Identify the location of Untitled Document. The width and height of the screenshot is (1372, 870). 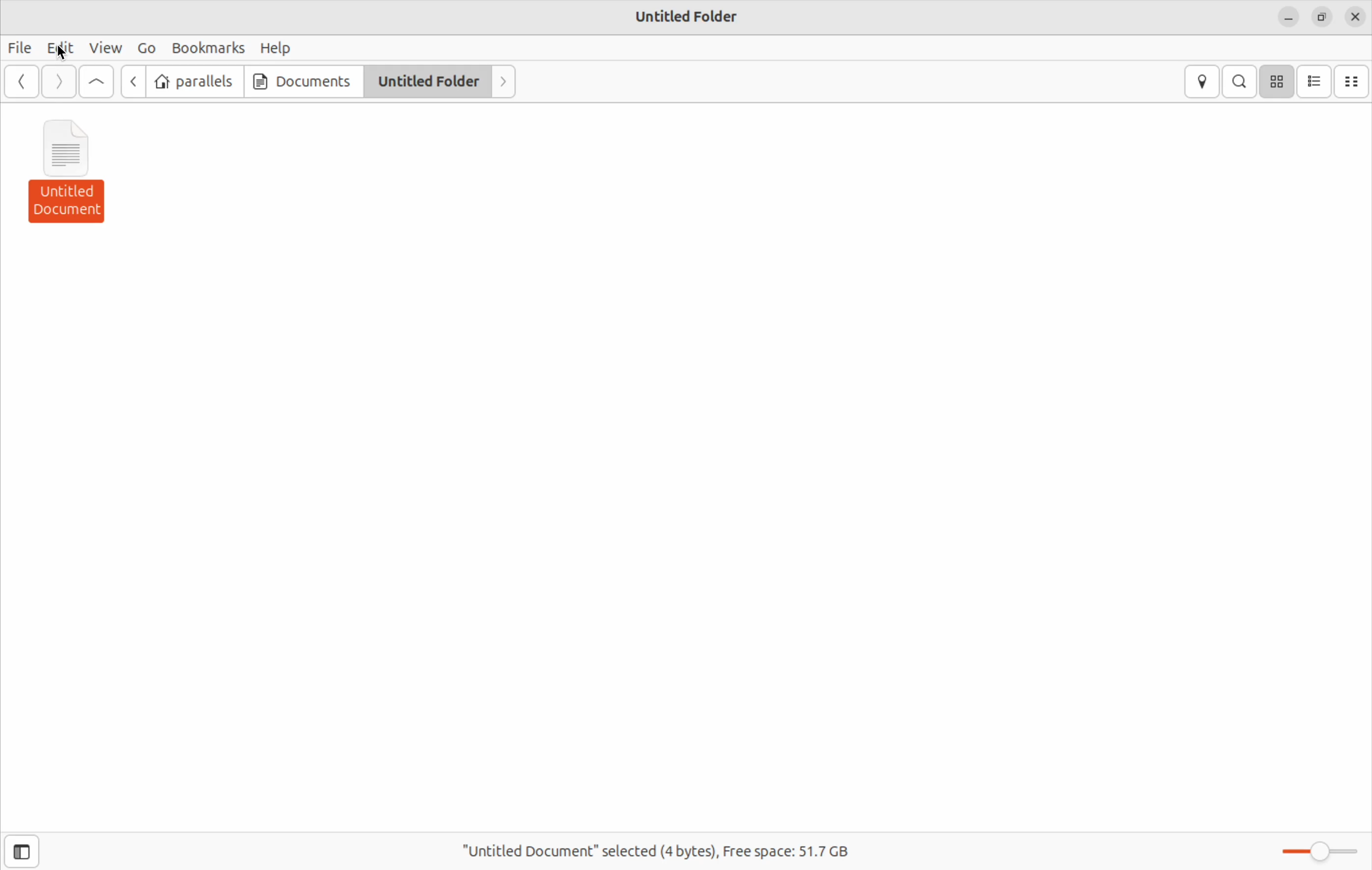
(74, 170).